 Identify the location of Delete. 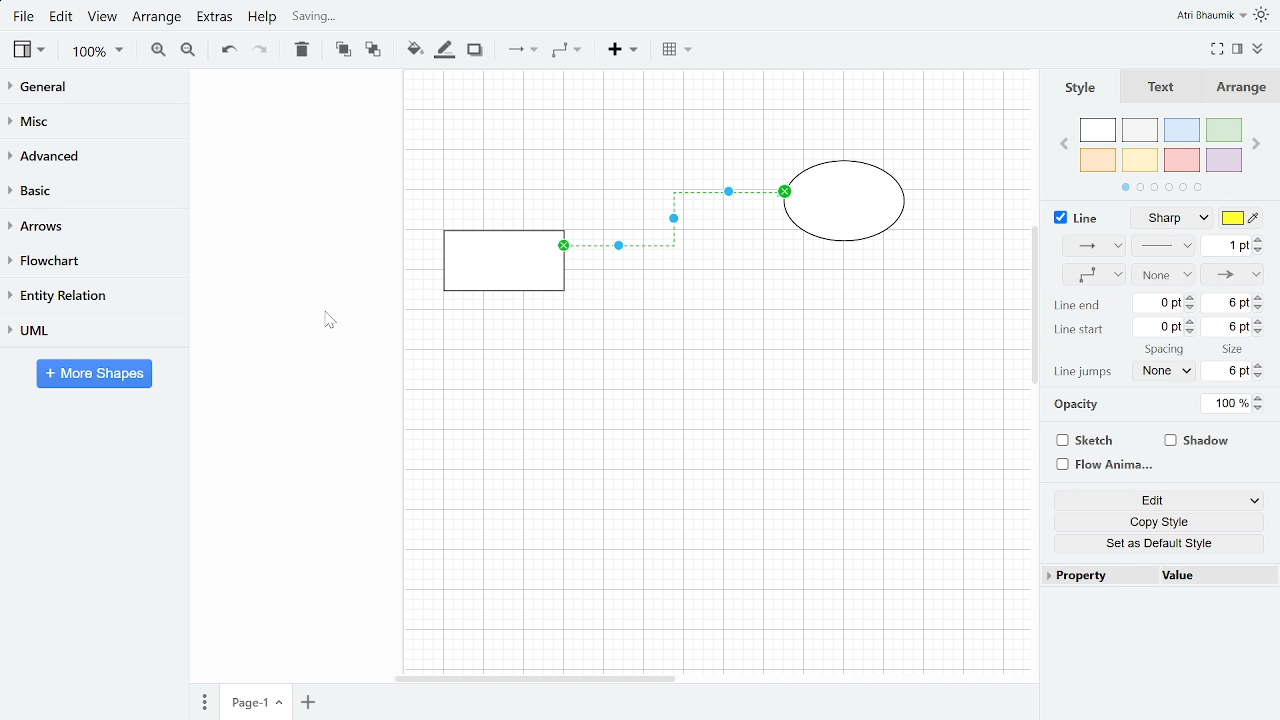
(300, 50).